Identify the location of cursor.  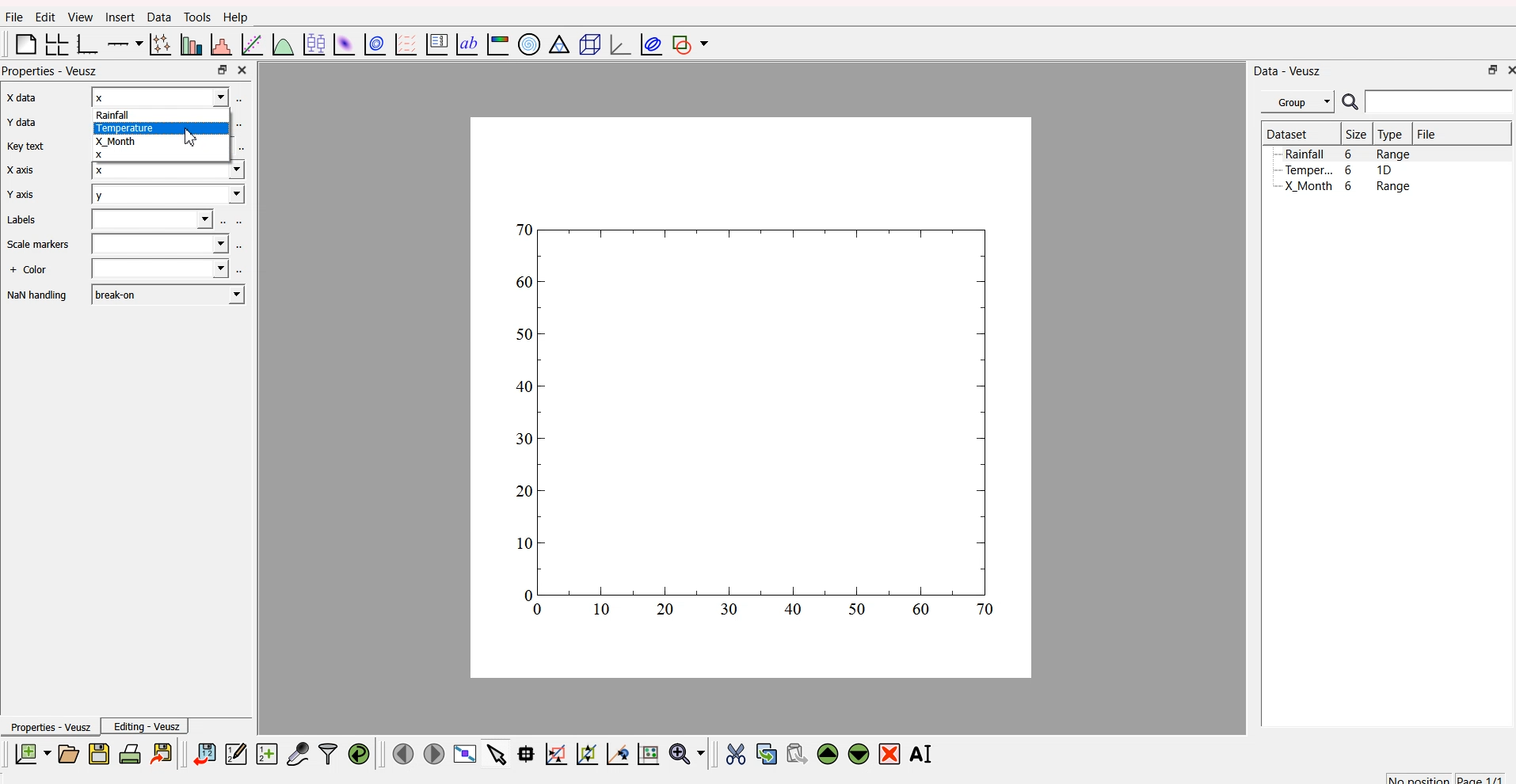
(189, 139).